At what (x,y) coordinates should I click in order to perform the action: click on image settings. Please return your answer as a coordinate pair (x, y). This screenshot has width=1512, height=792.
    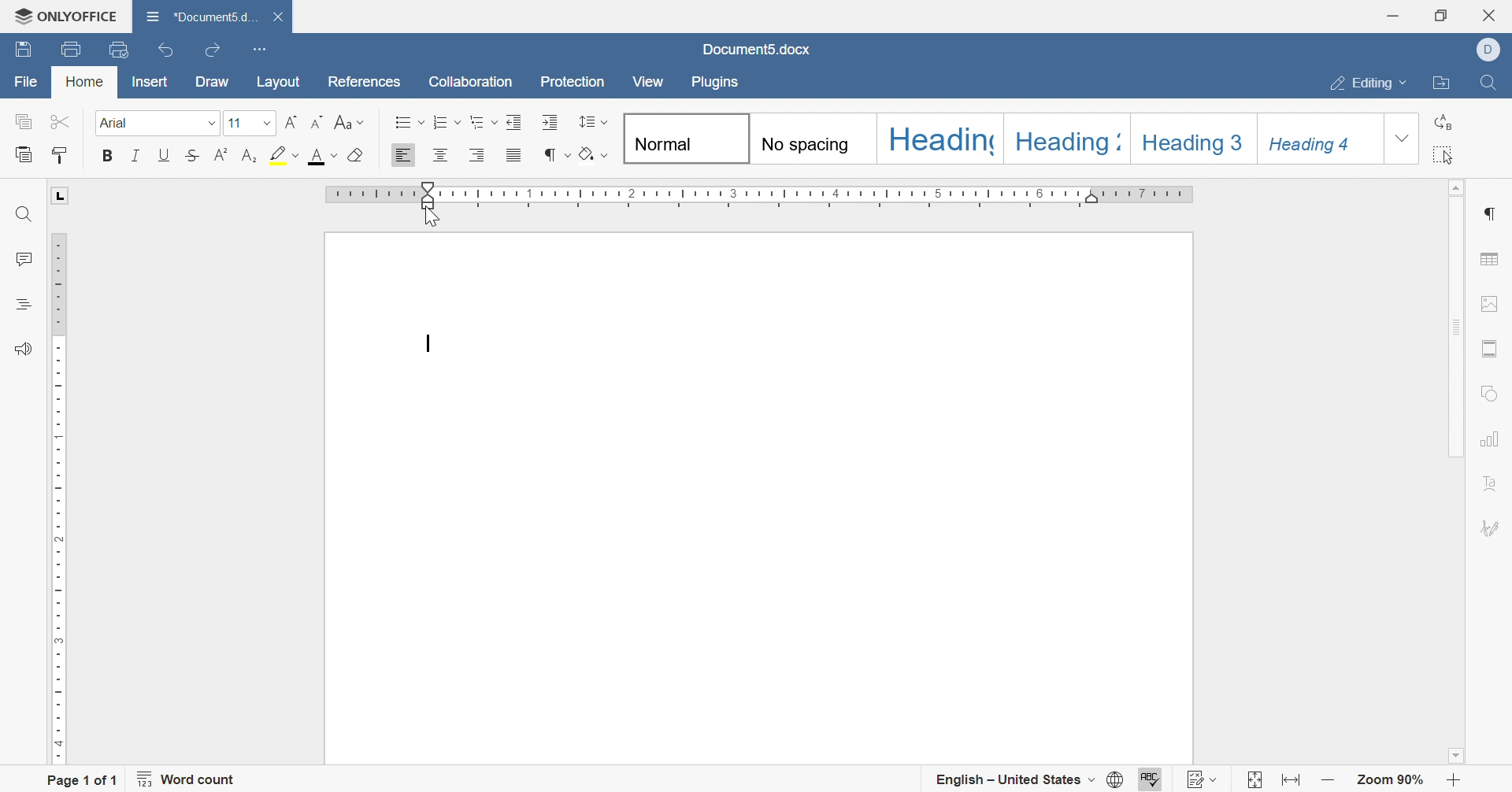
    Looking at the image, I should click on (1491, 301).